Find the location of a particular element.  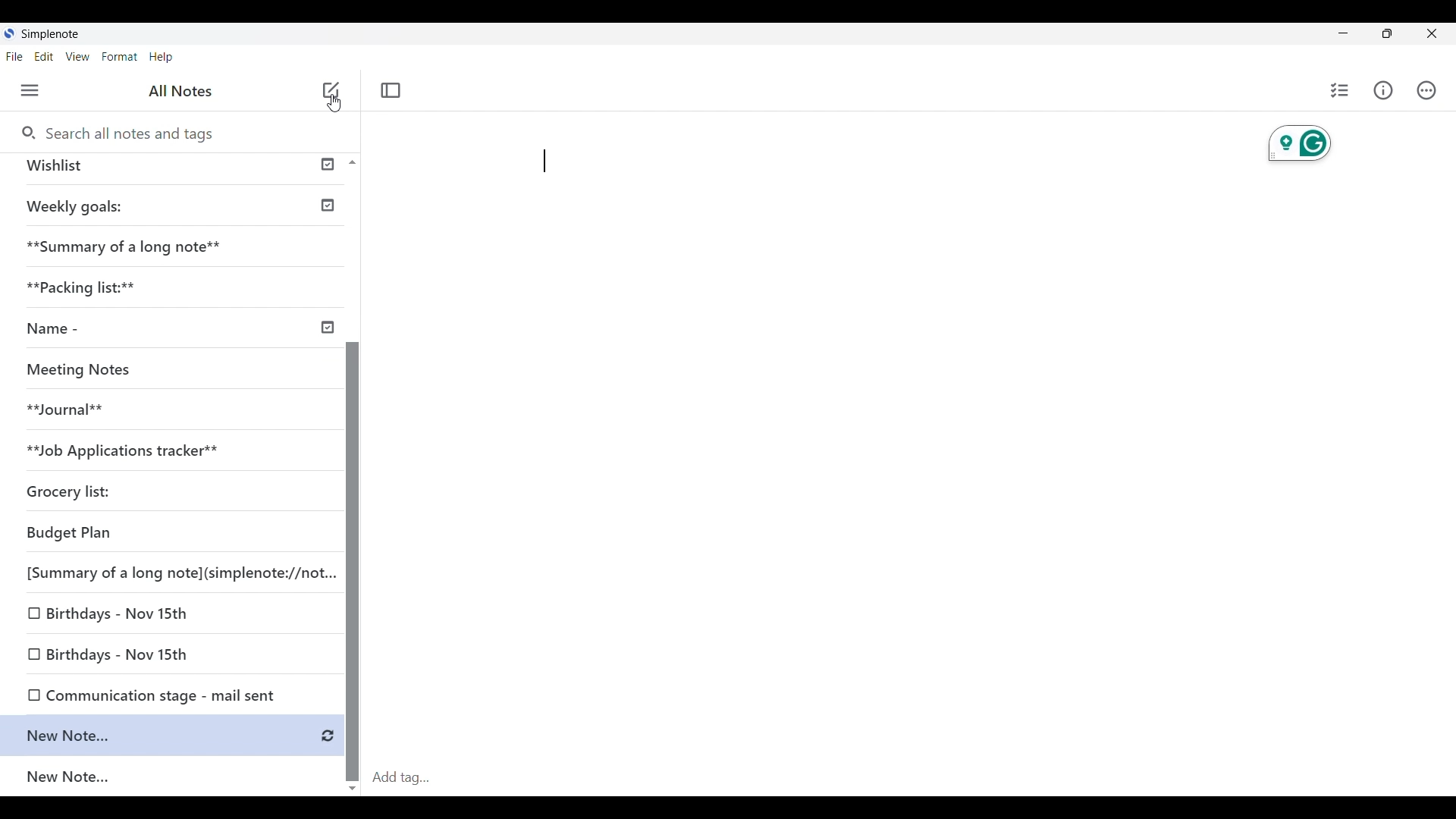

**Journal** is located at coordinates (69, 406).